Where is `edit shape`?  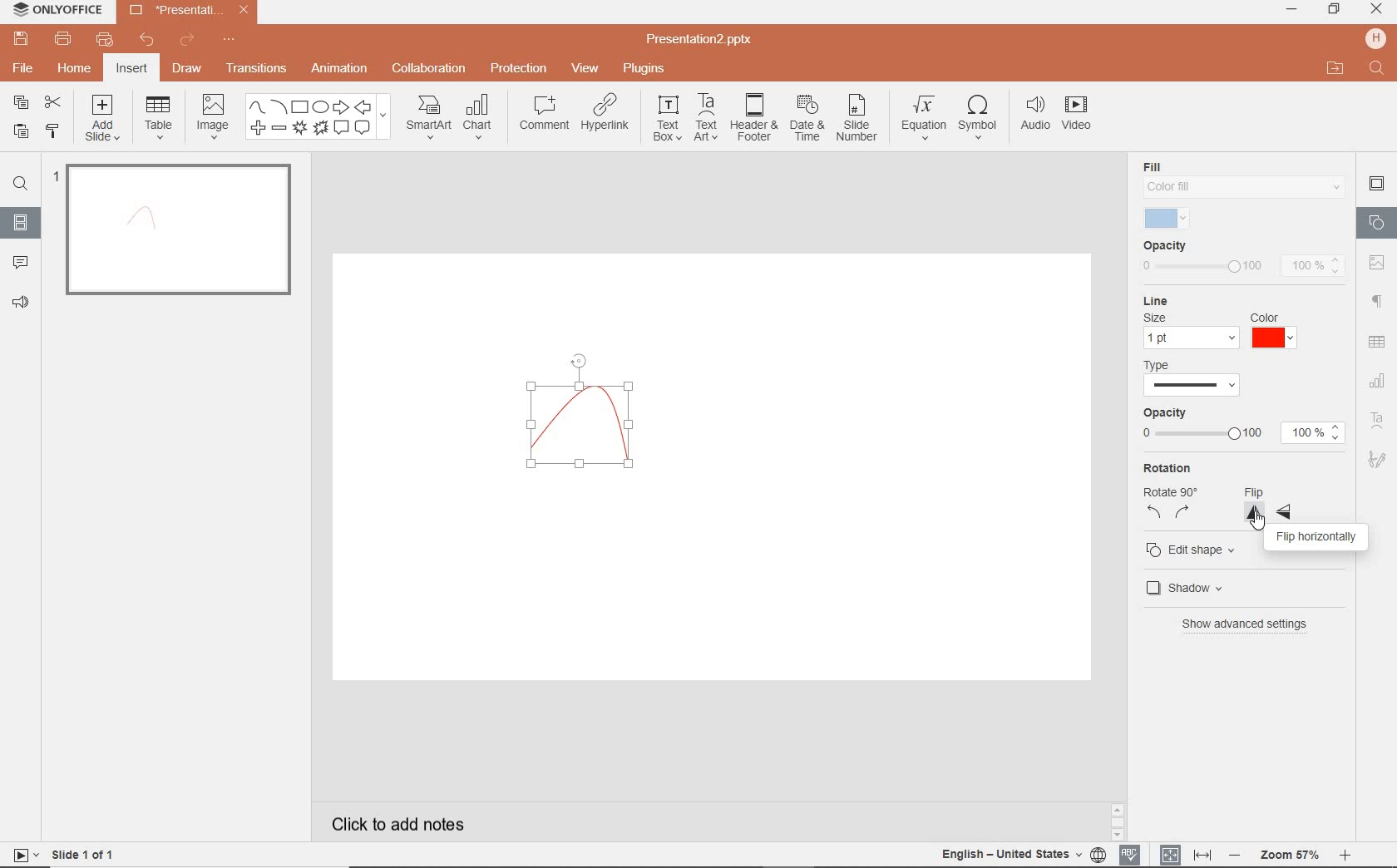
edit shape is located at coordinates (1196, 550).